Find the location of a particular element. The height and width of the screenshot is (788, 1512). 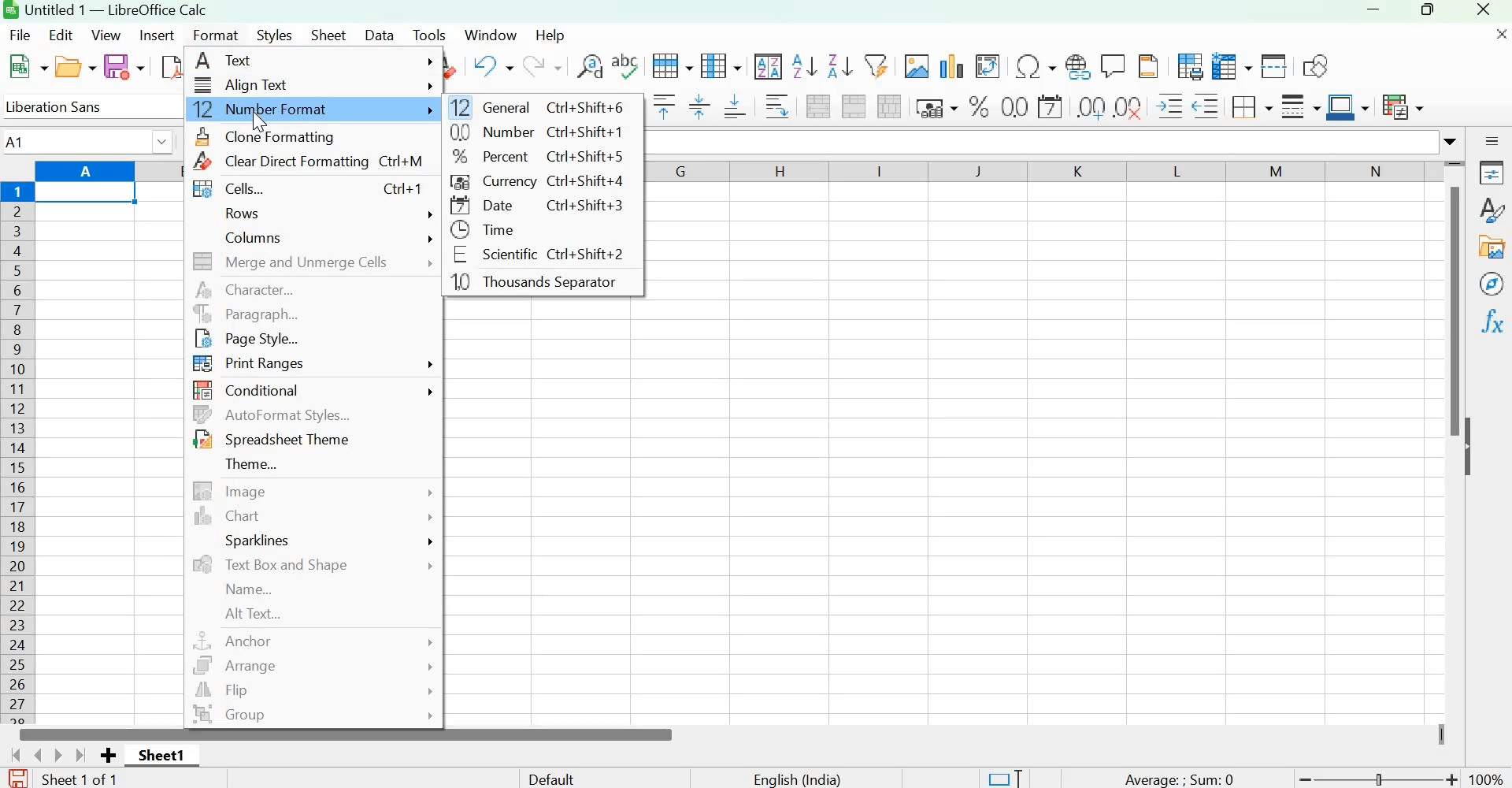

Insert is located at coordinates (158, 36).